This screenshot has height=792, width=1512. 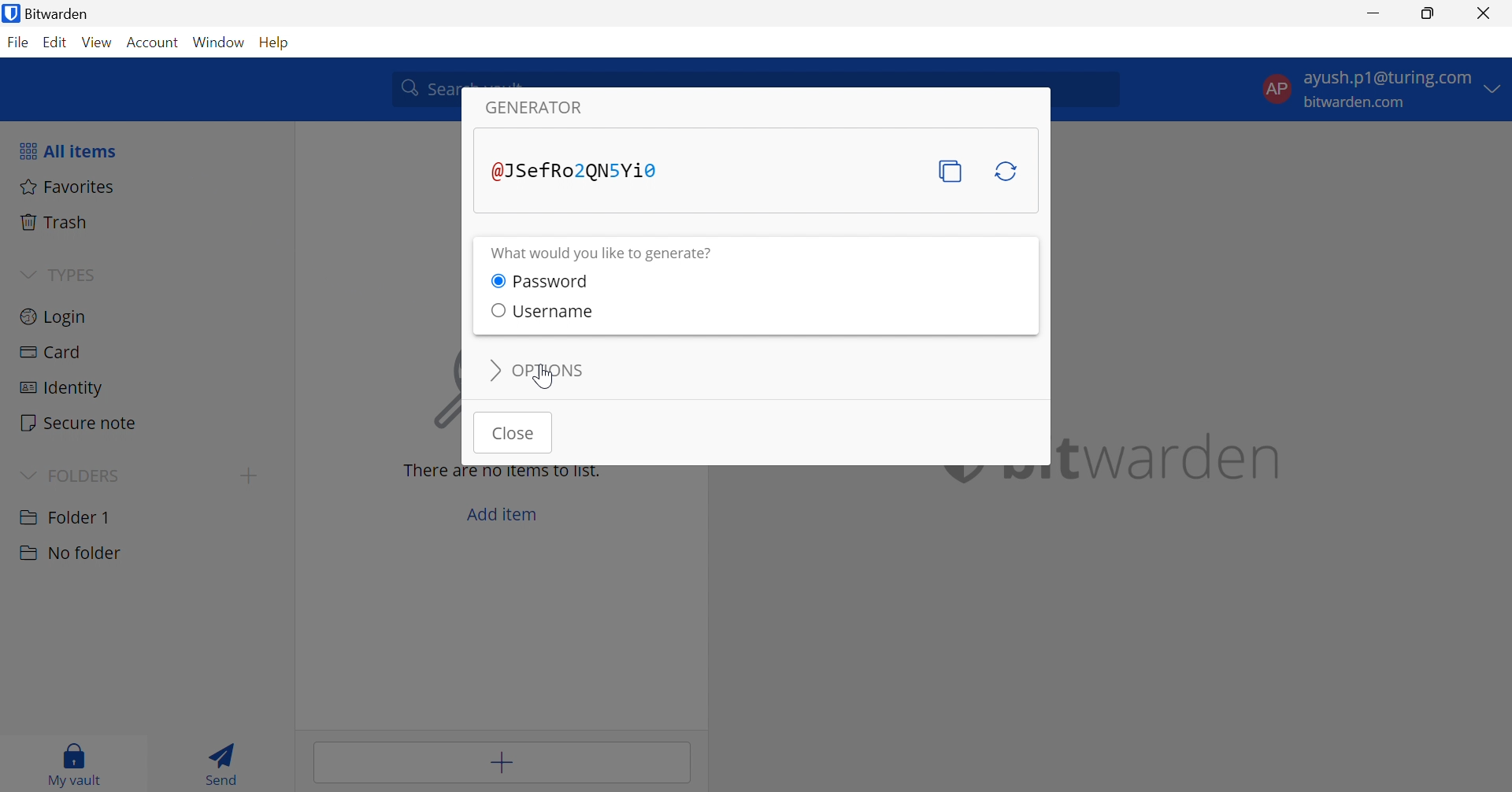 What do you see at coordinates (87, 473) in the screenshot?
I see `FOLDERS` at bounding box center [87, 473].